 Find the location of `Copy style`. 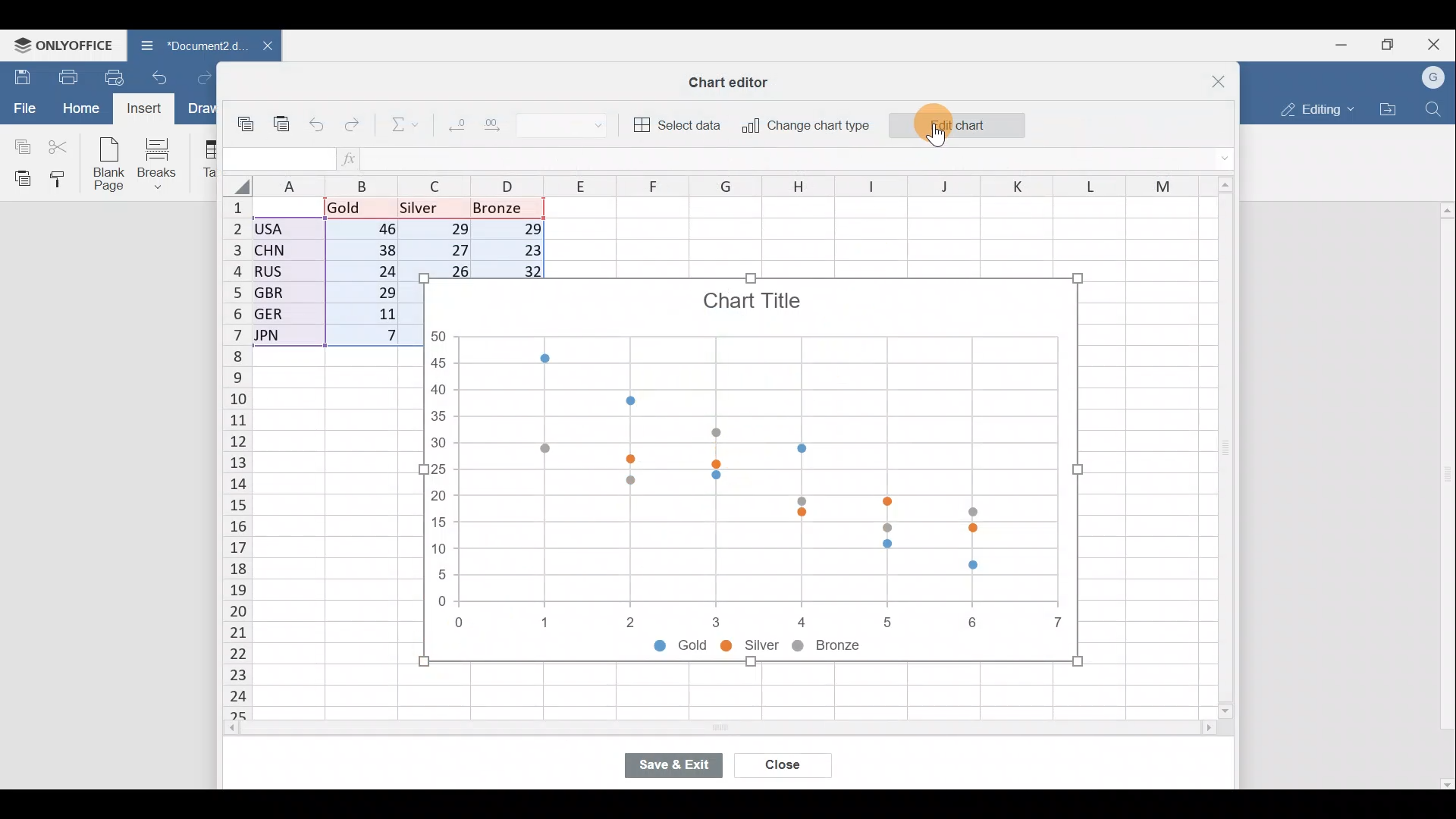

Copy style is located at coordinates (62, 180).